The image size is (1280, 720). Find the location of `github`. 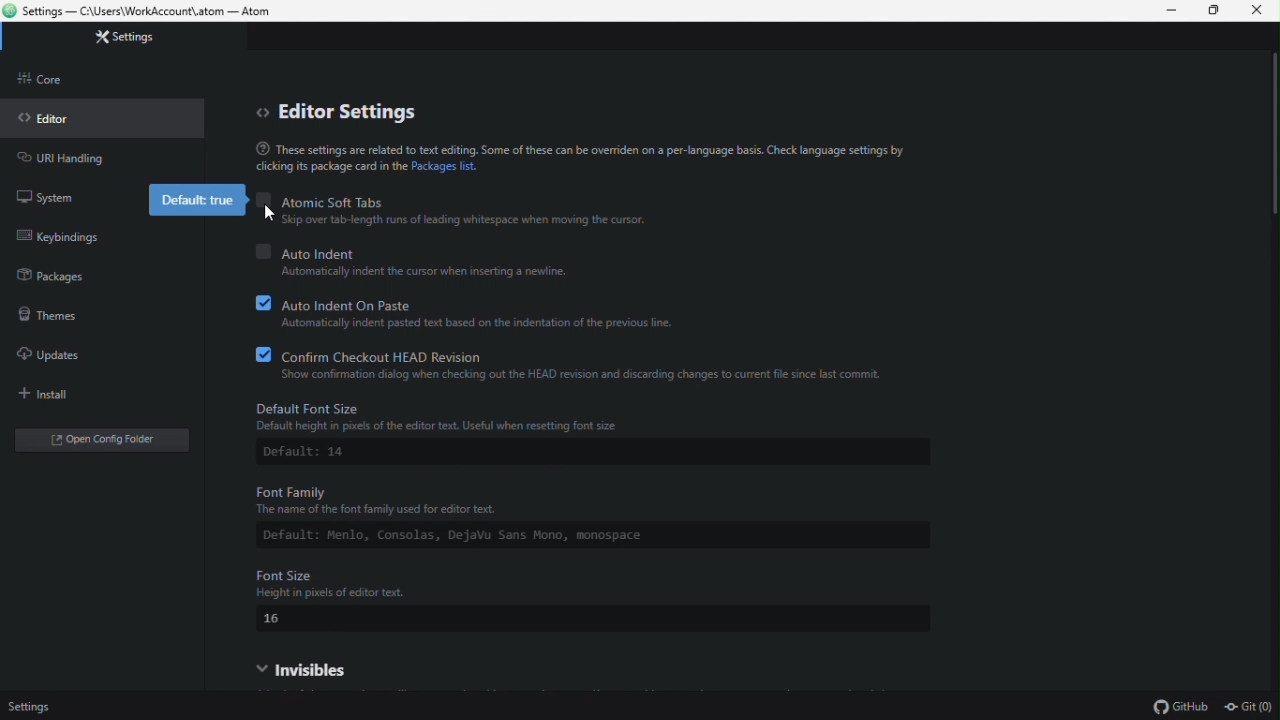

github is located at coordinates (1178, 705).